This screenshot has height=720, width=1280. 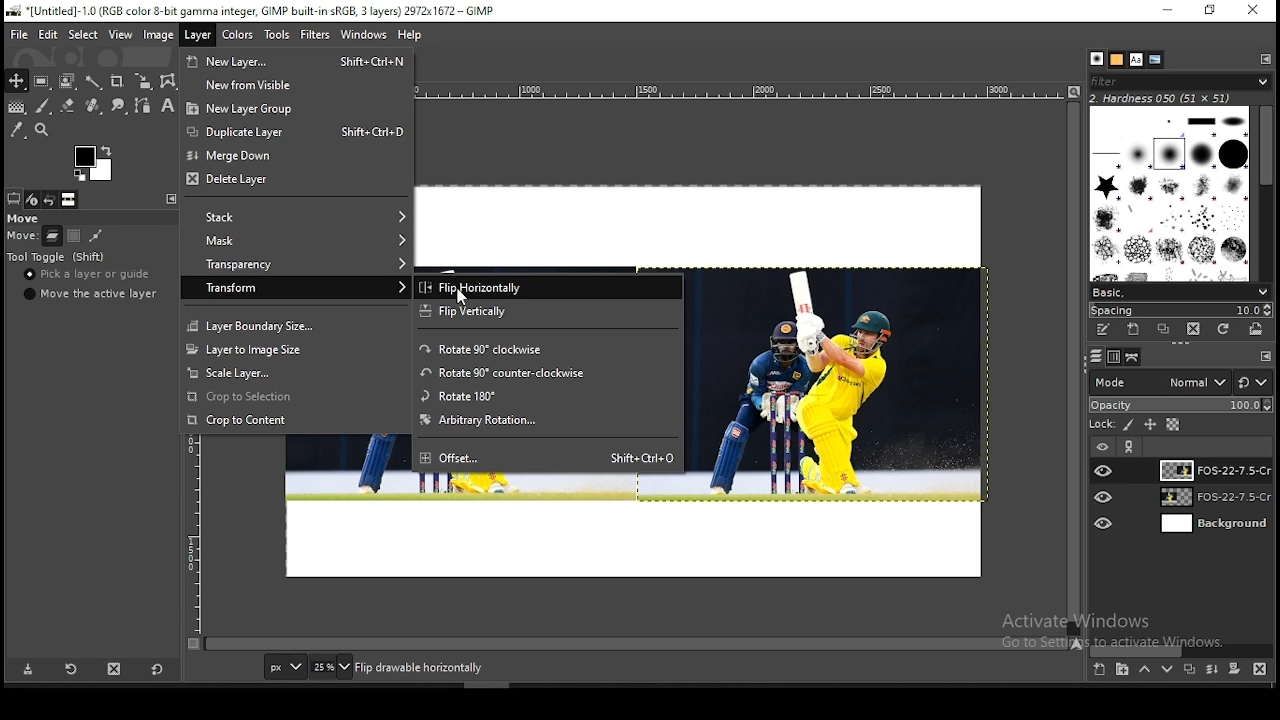 I want to click on tool, so click(x=1131, y=447).